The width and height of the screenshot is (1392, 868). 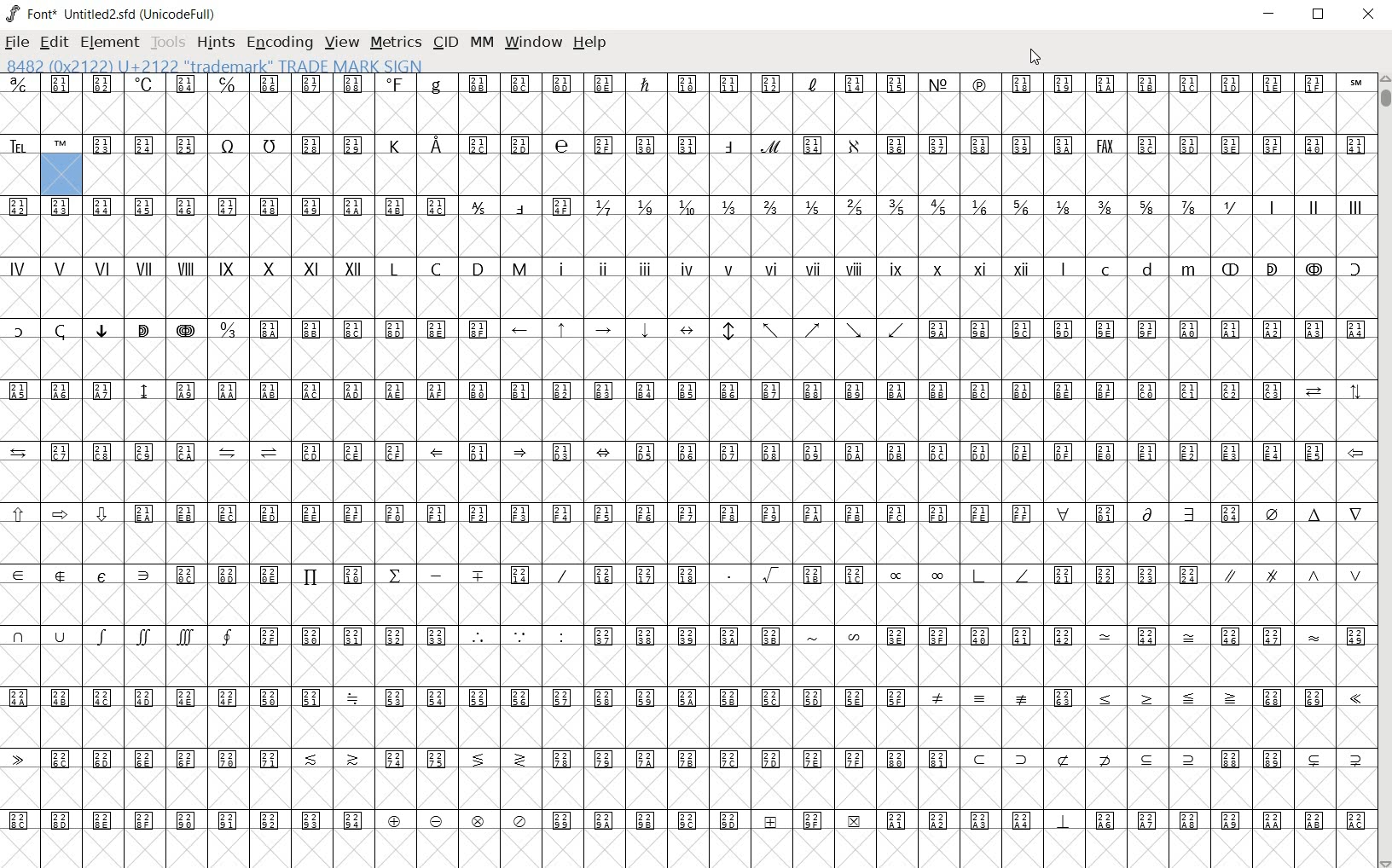 What do you see at coordinates (710, 347) in the screenshot?
I see `special characters` at bounding box center [710, 347].